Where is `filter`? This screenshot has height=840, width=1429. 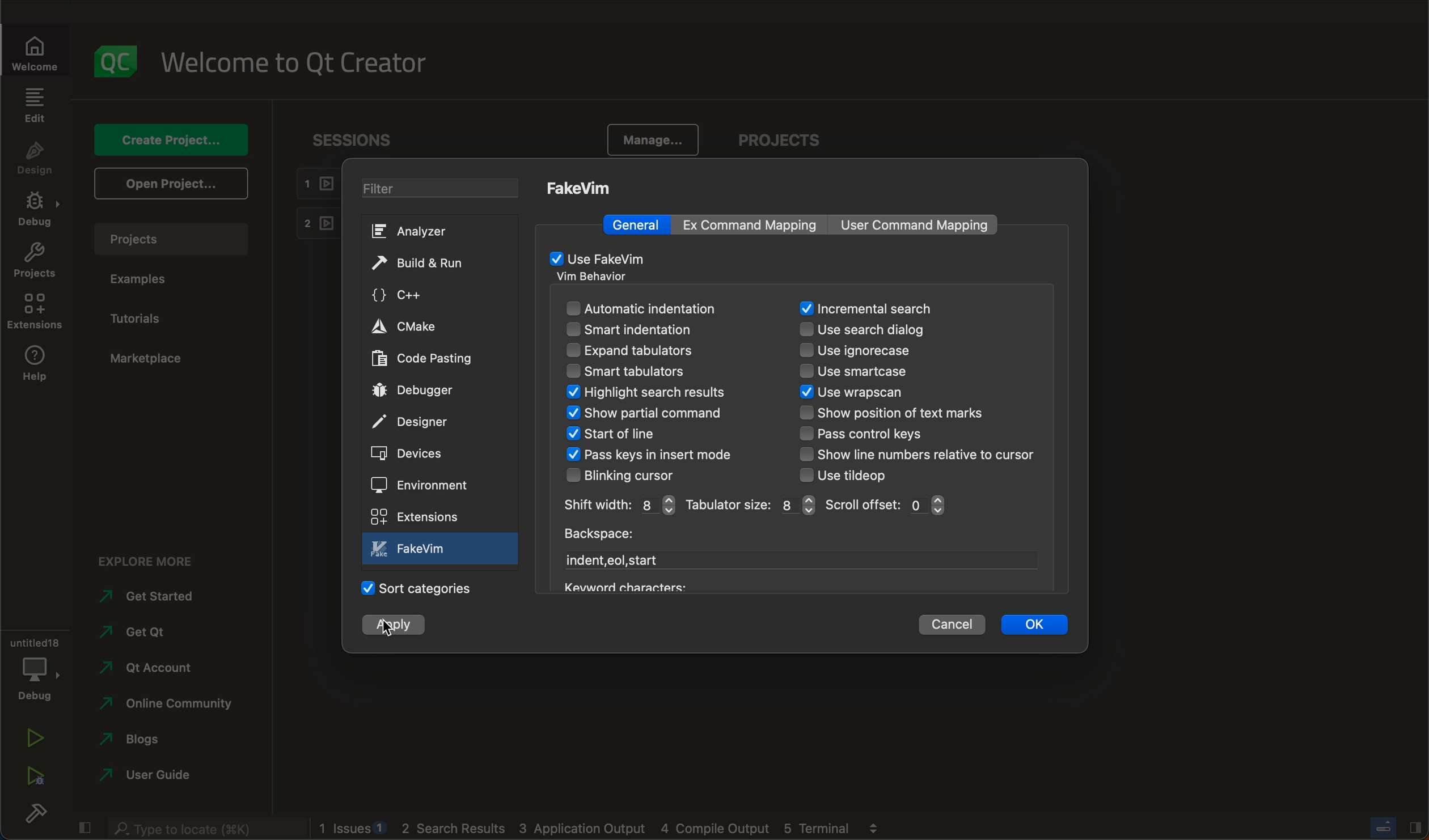
filter is located at coordinates (443, 190).